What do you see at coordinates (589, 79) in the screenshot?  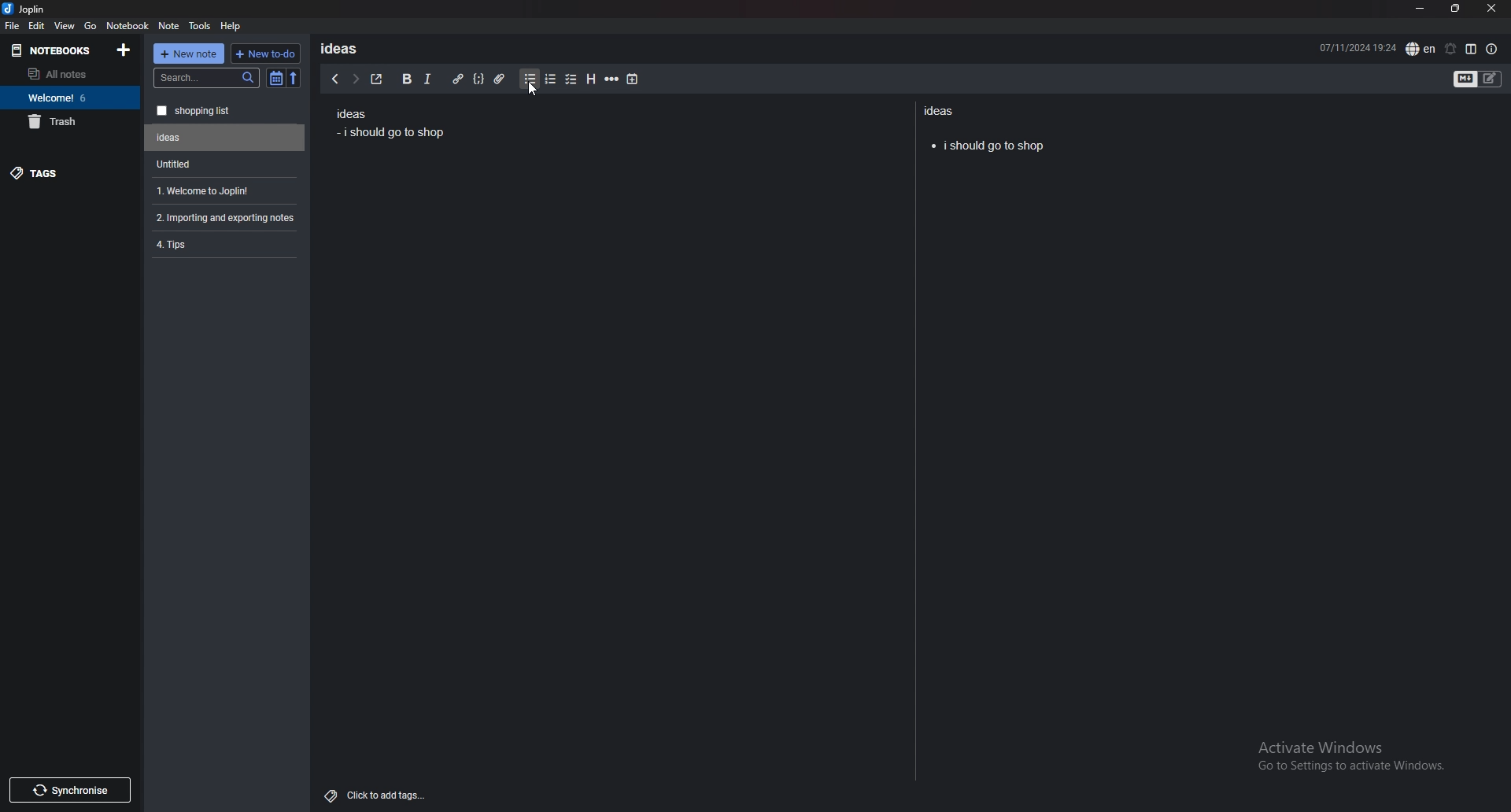 I see `heading` at bounding box center [589, 79].